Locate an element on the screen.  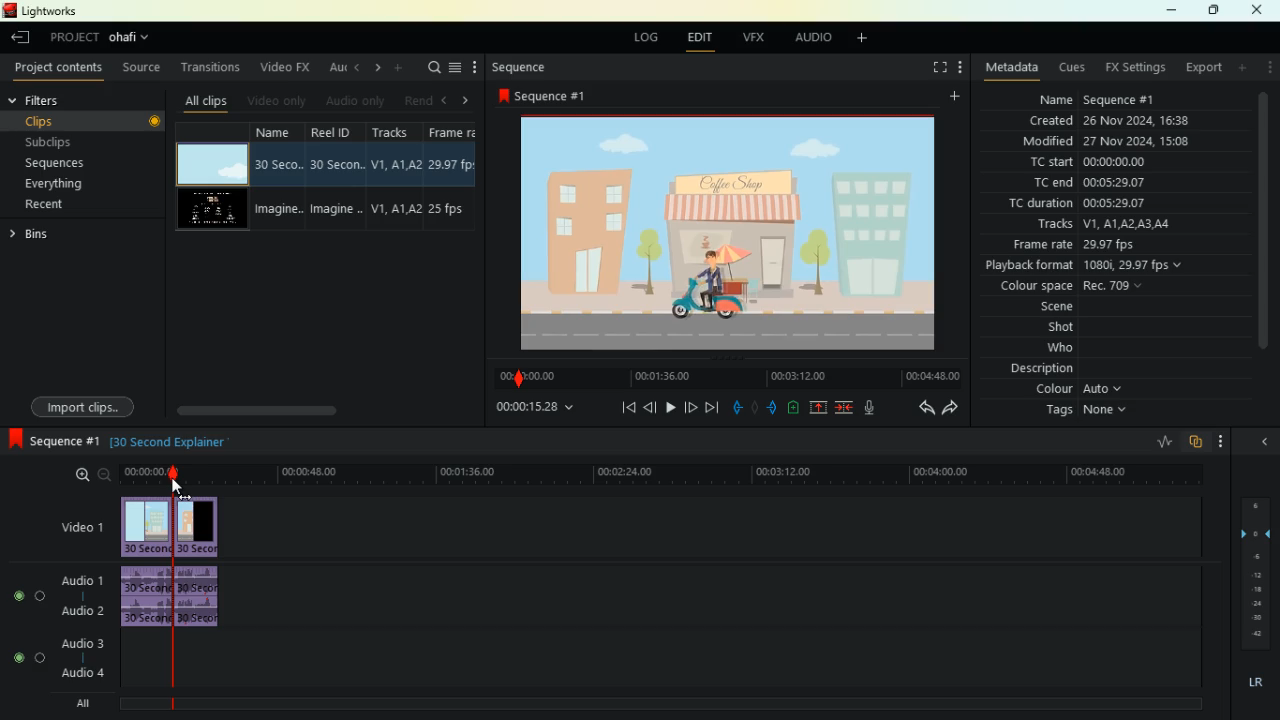
name is located at coordinates (1058, 101).